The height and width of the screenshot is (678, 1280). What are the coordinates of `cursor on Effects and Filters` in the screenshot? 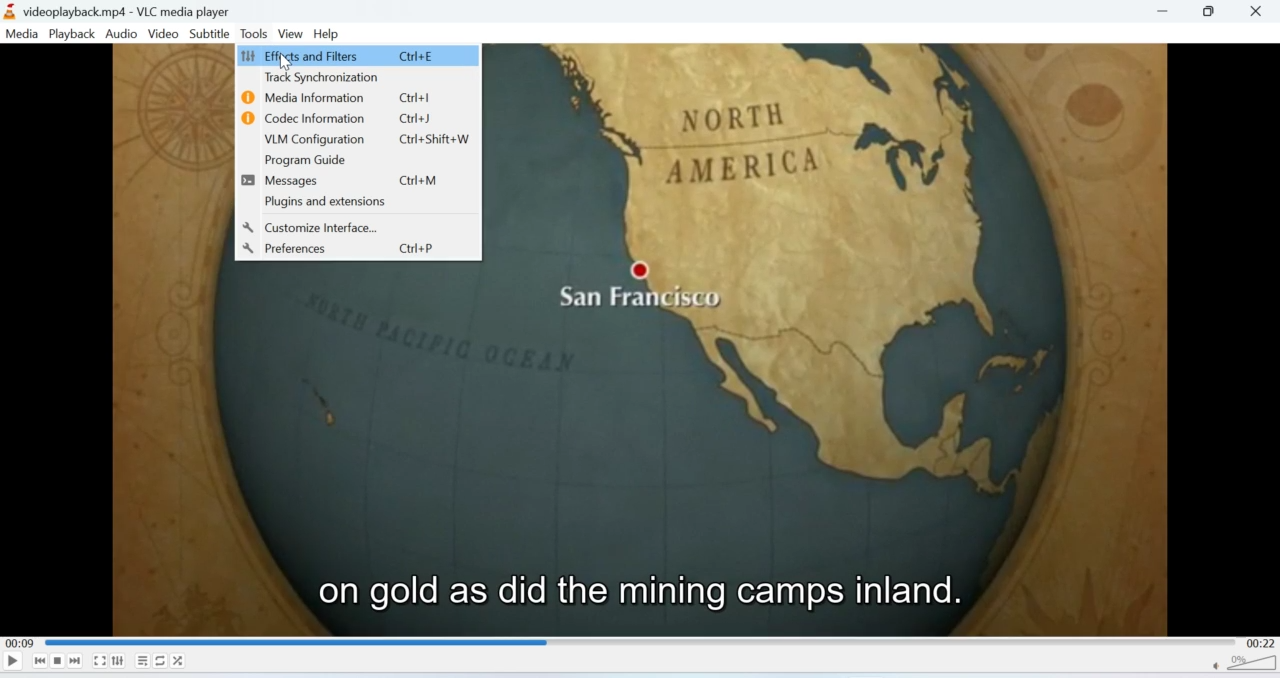 It's located at (289, 61).